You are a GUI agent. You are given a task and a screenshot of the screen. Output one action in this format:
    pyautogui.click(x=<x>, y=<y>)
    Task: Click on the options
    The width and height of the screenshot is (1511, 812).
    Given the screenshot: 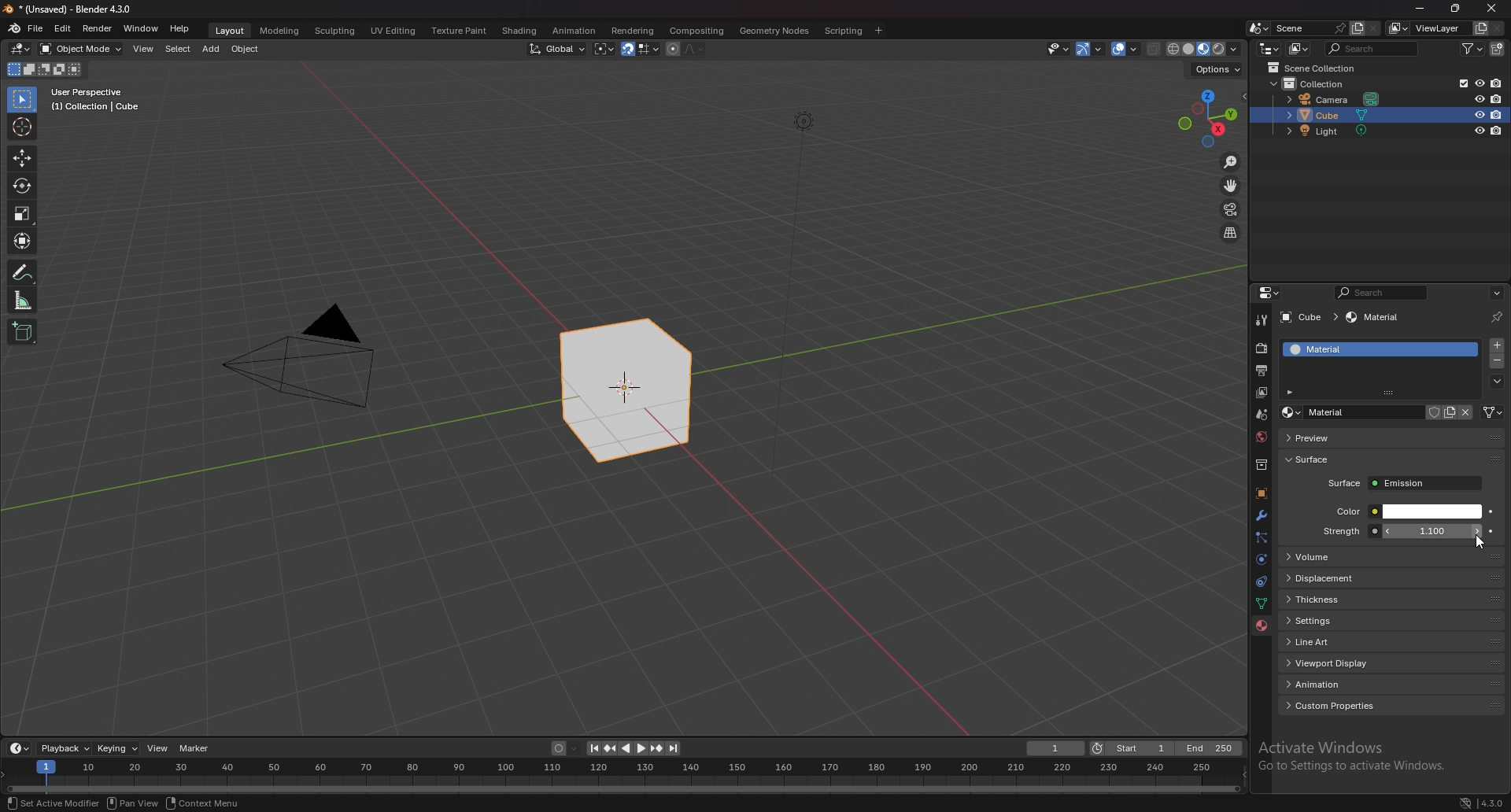 What is the action you would take?
    pyautogui.click(x=1496, y=293)
    